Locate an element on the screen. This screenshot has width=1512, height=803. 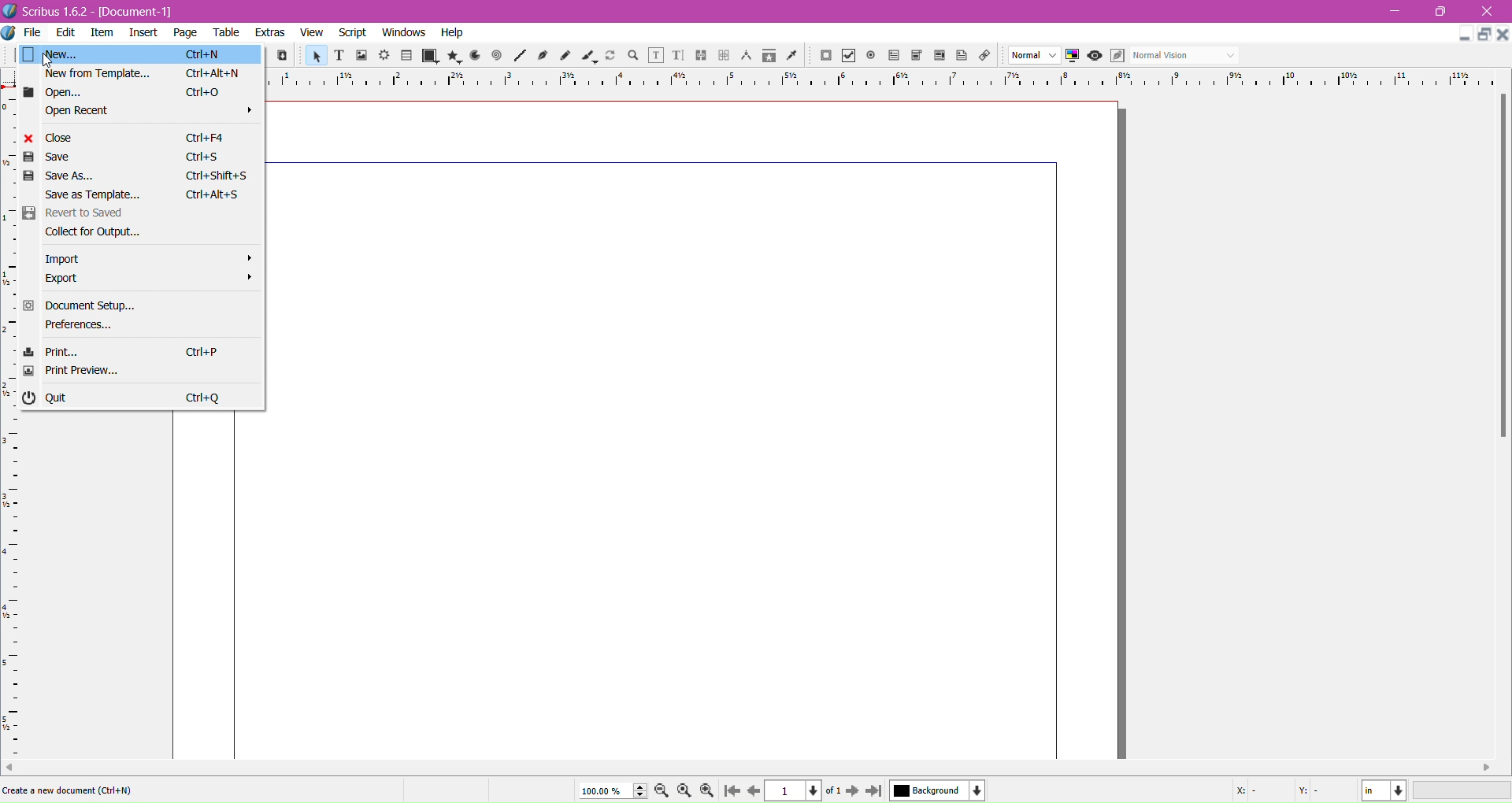
top scale is located at coordinates (884, 80).